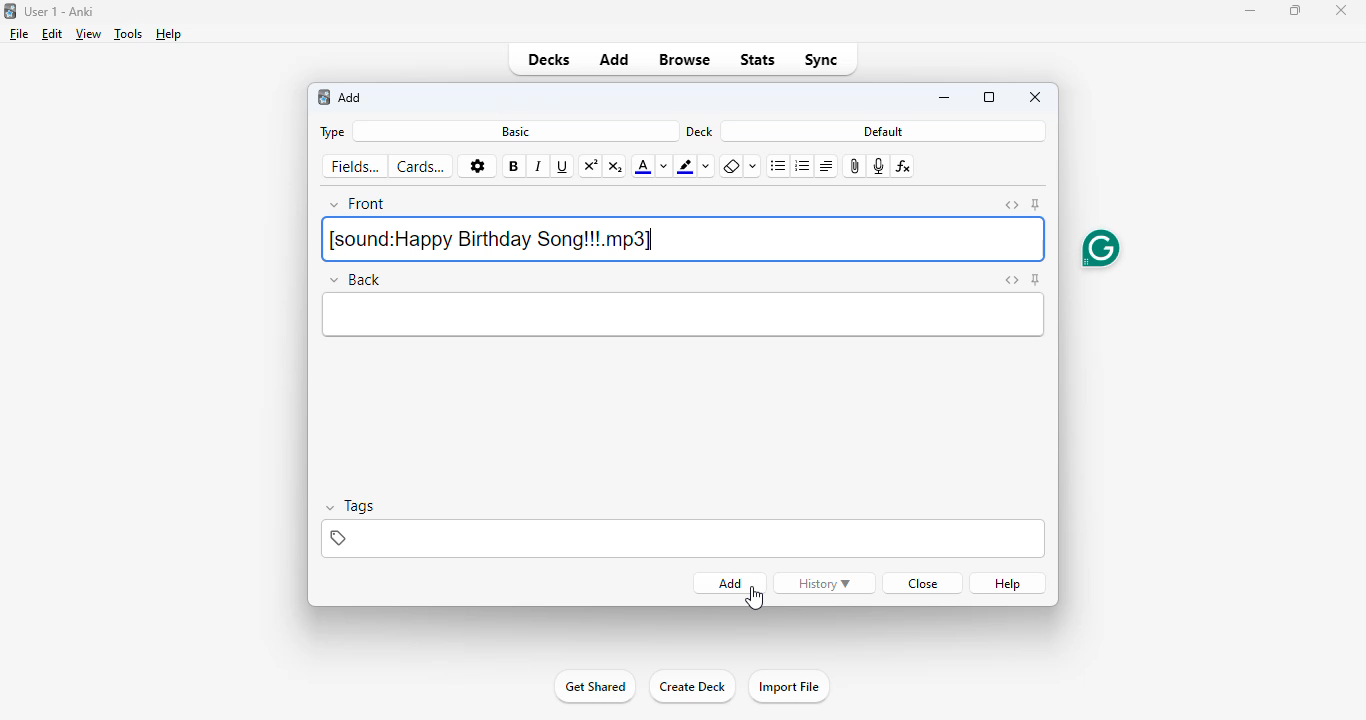 The image size is (1366, 720). What do you see at coordinates (824, 583) in the screenshot?
I see `history` at bounding box center [824, 583].